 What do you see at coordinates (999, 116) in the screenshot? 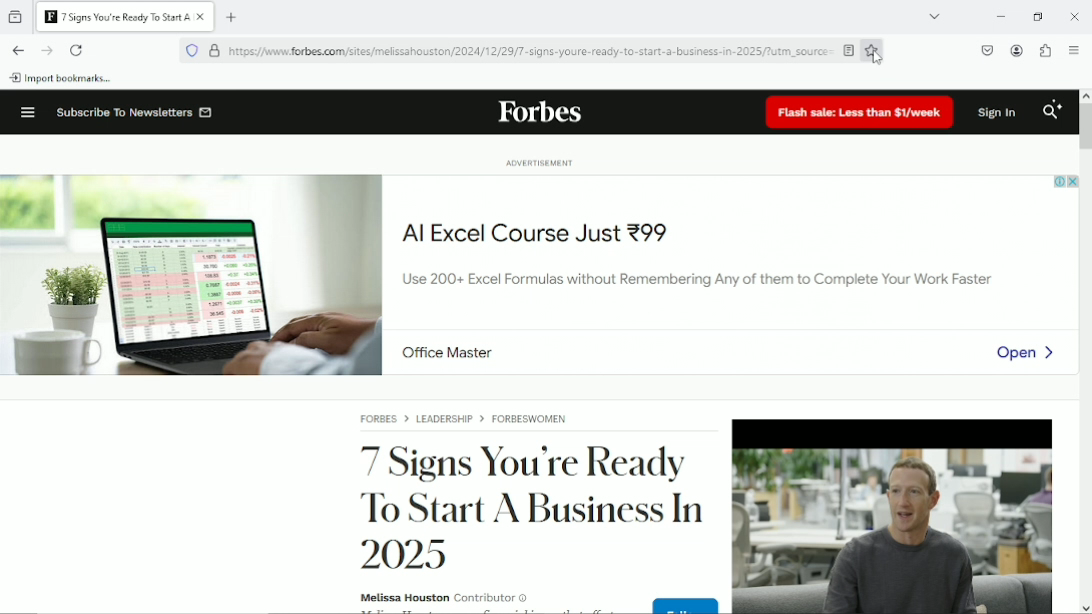
I see `Sign in` at bounding box center [999, 116].